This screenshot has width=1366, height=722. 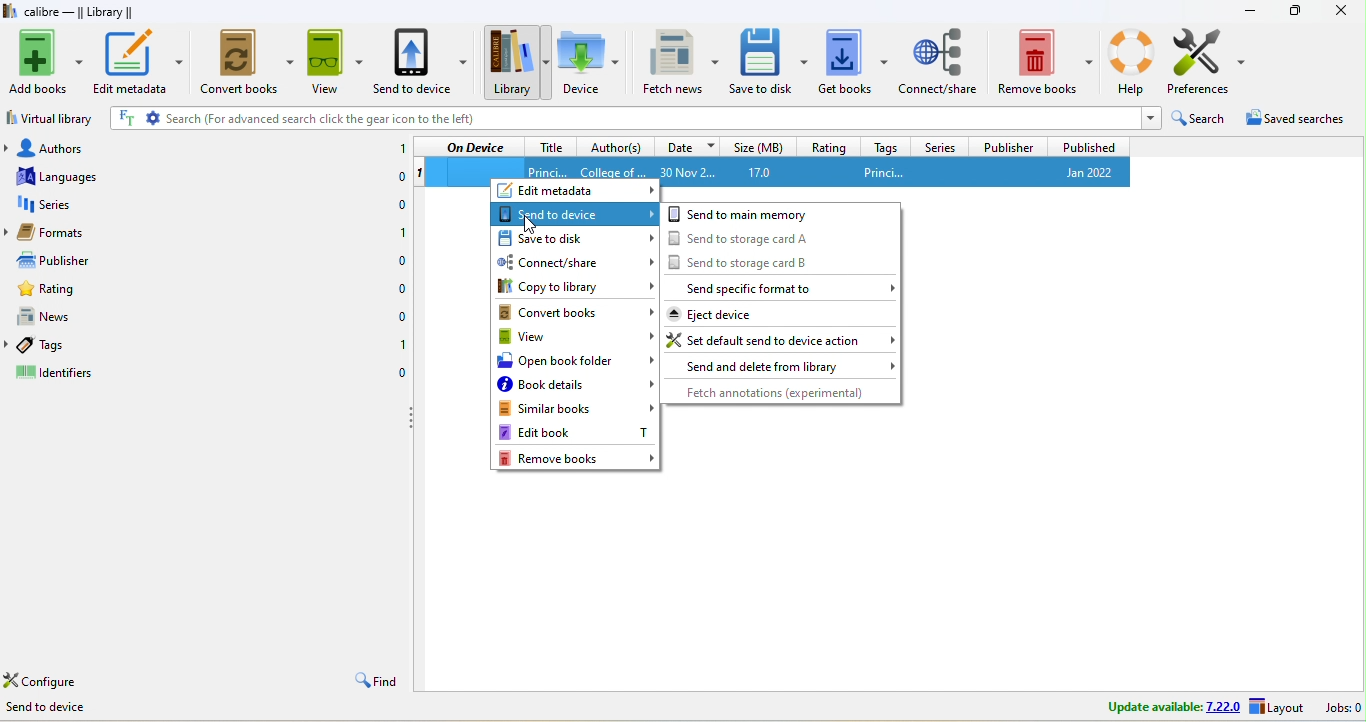 I want to click on find, so click(x=374, y=681).